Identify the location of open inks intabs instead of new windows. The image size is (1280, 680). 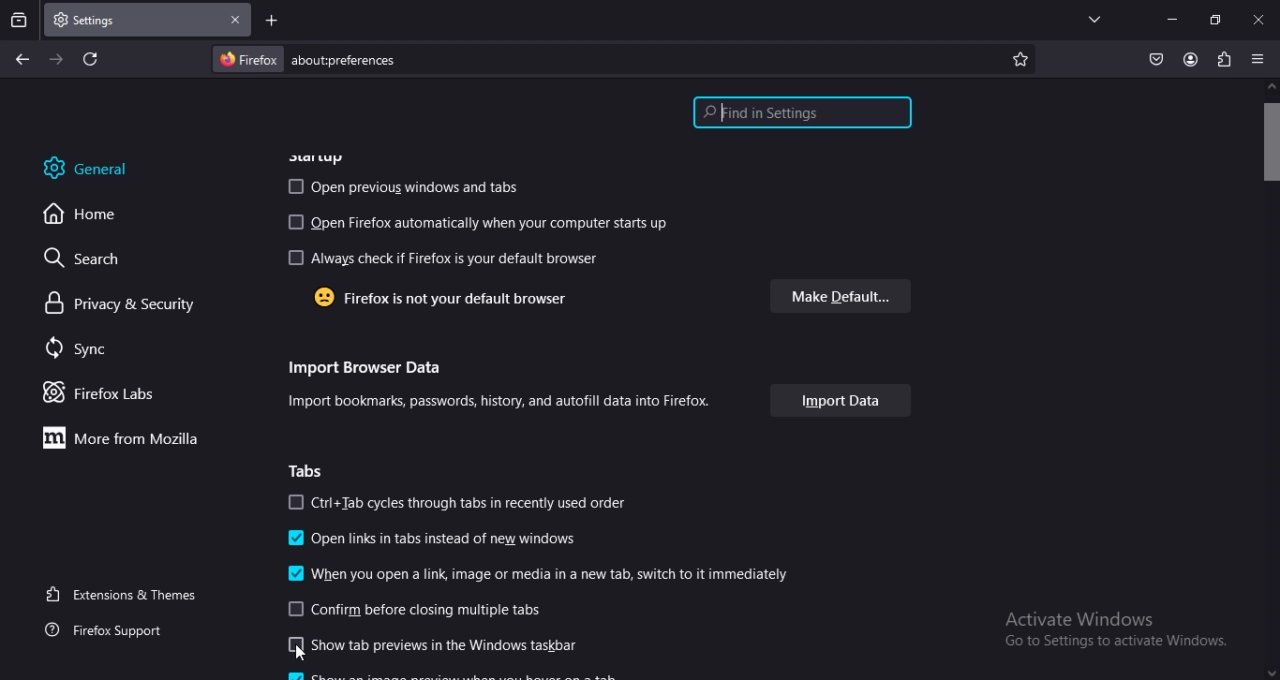
(431, 540).